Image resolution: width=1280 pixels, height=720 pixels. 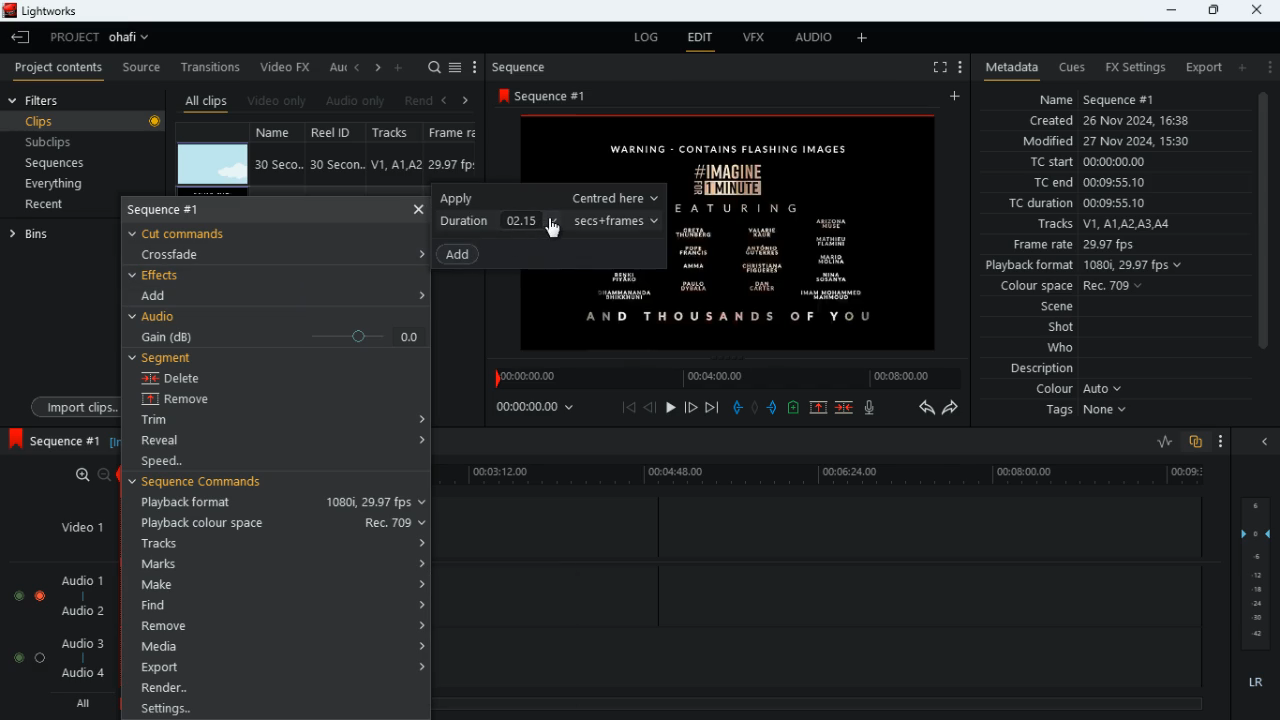 I want to click on shot, so click(x=1063, y=329).